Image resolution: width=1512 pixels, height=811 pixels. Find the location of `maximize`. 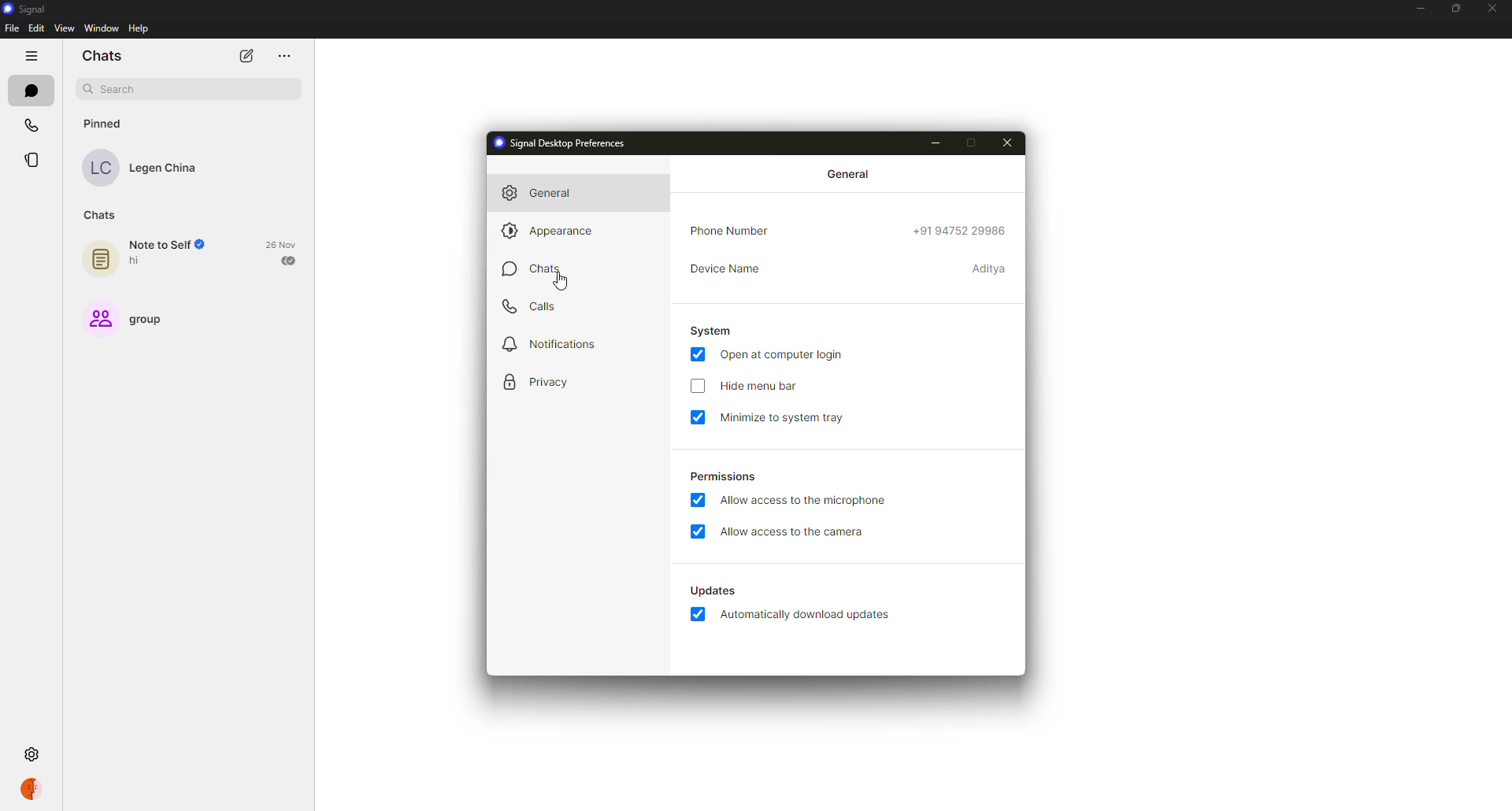

maximize is located at coordinates (1453, 9).